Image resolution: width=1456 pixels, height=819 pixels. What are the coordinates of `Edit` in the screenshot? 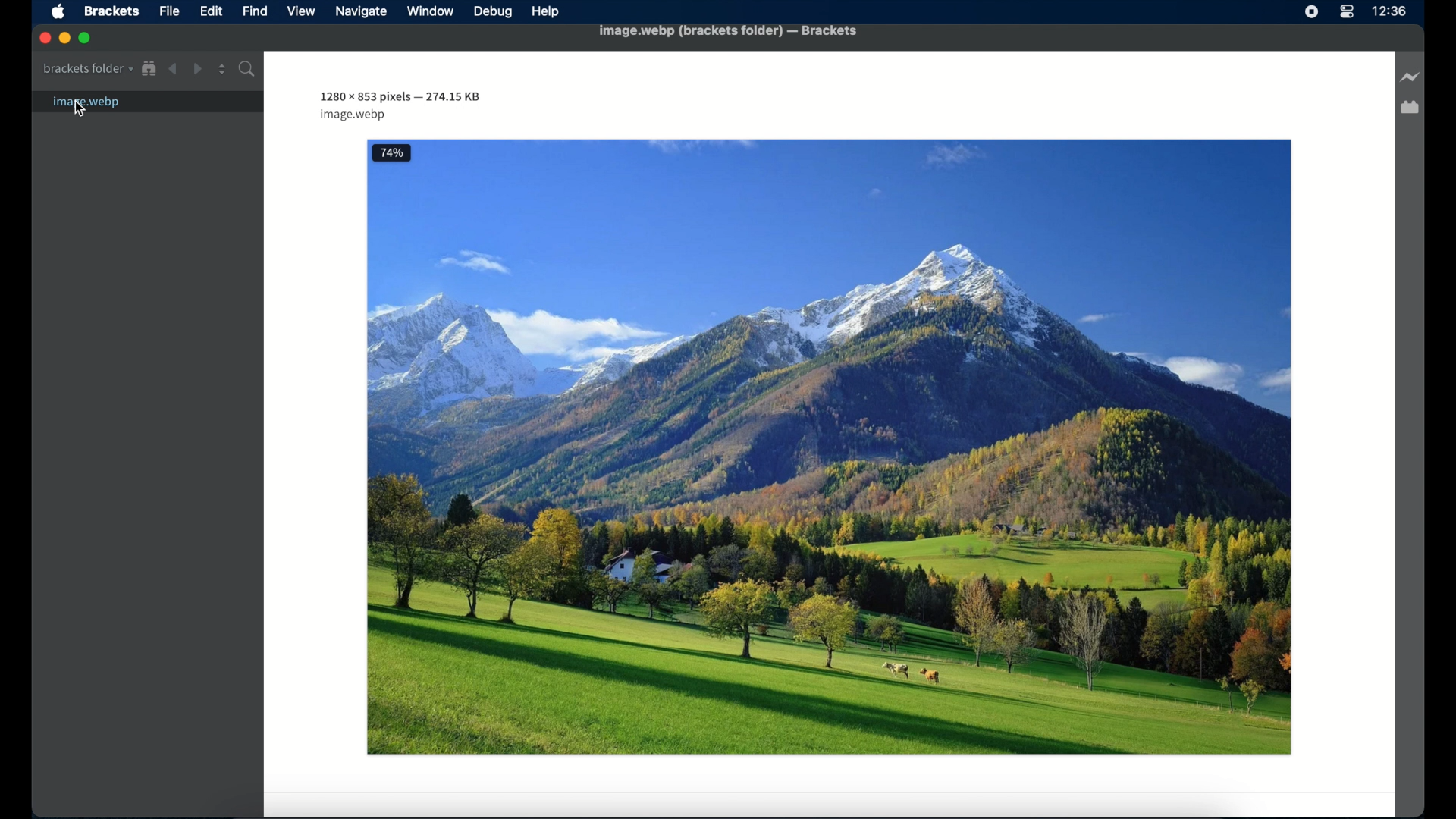 It's located at (216, 14).